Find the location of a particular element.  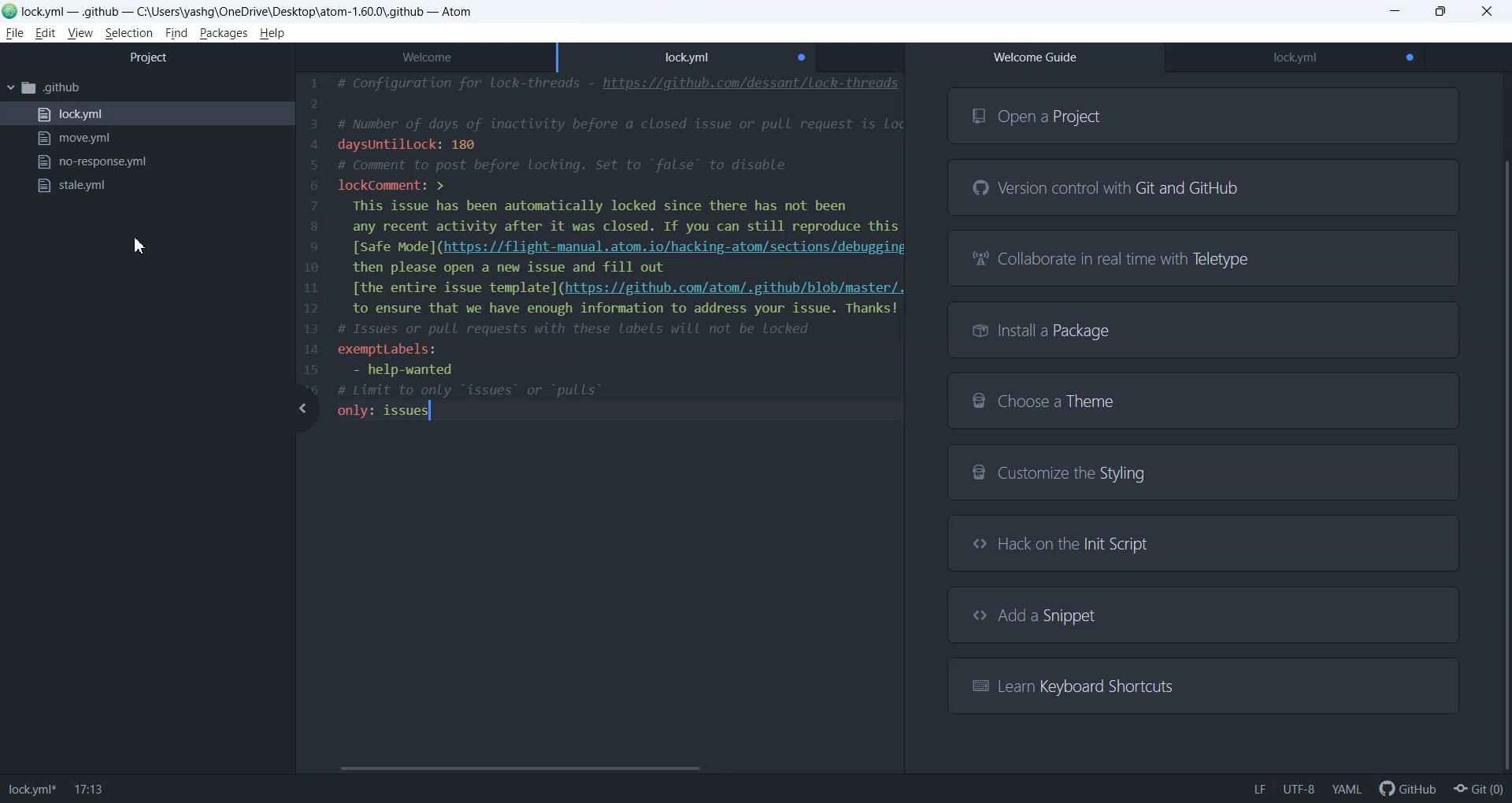

.github is located at coordinates (146, 89).